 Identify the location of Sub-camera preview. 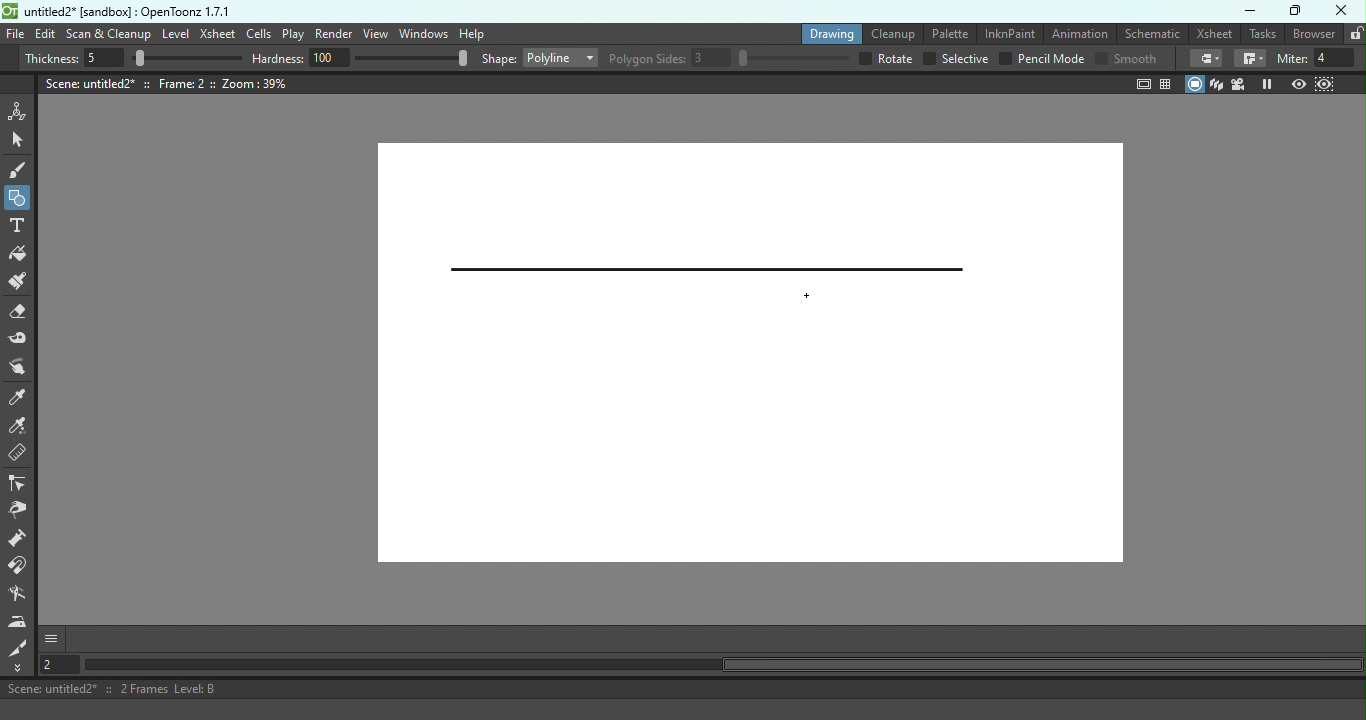
(1323, 83).